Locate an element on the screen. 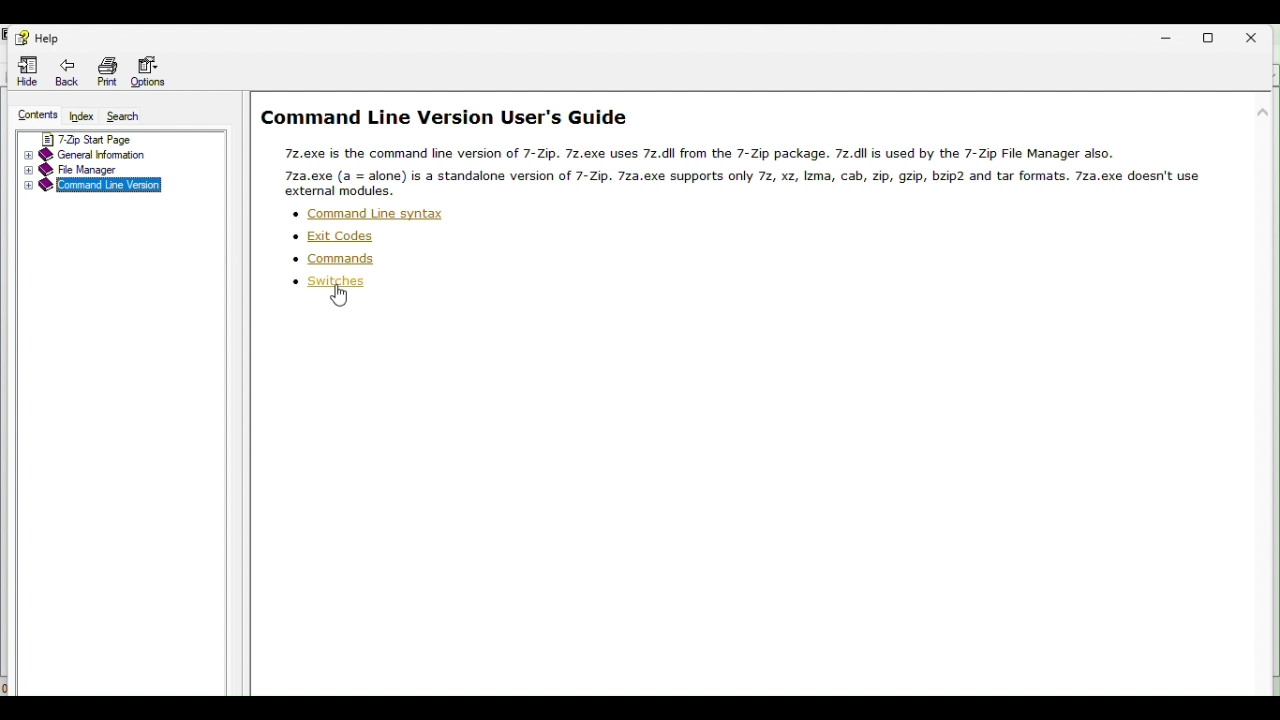 The image size is (1280, 720). Commands is located at coordinates (343, 259).